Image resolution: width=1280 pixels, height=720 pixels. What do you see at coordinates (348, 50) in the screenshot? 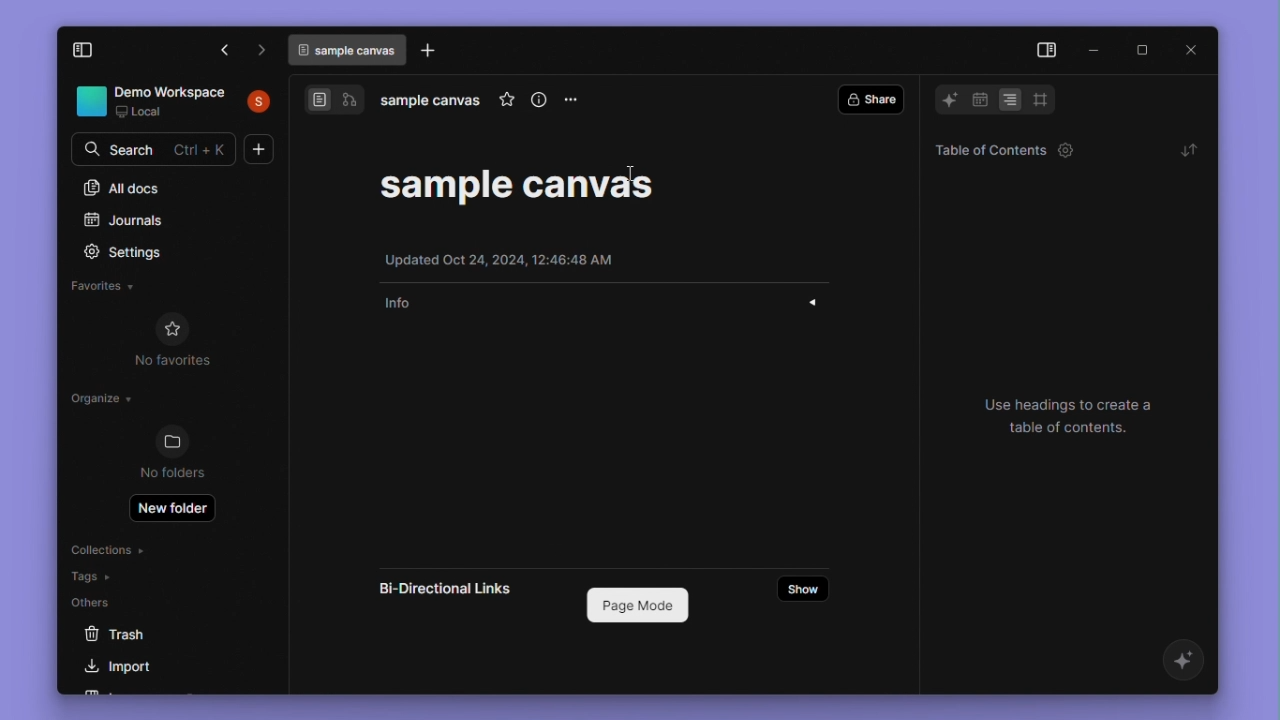
I see `file name` at bounding box center [348, 50].